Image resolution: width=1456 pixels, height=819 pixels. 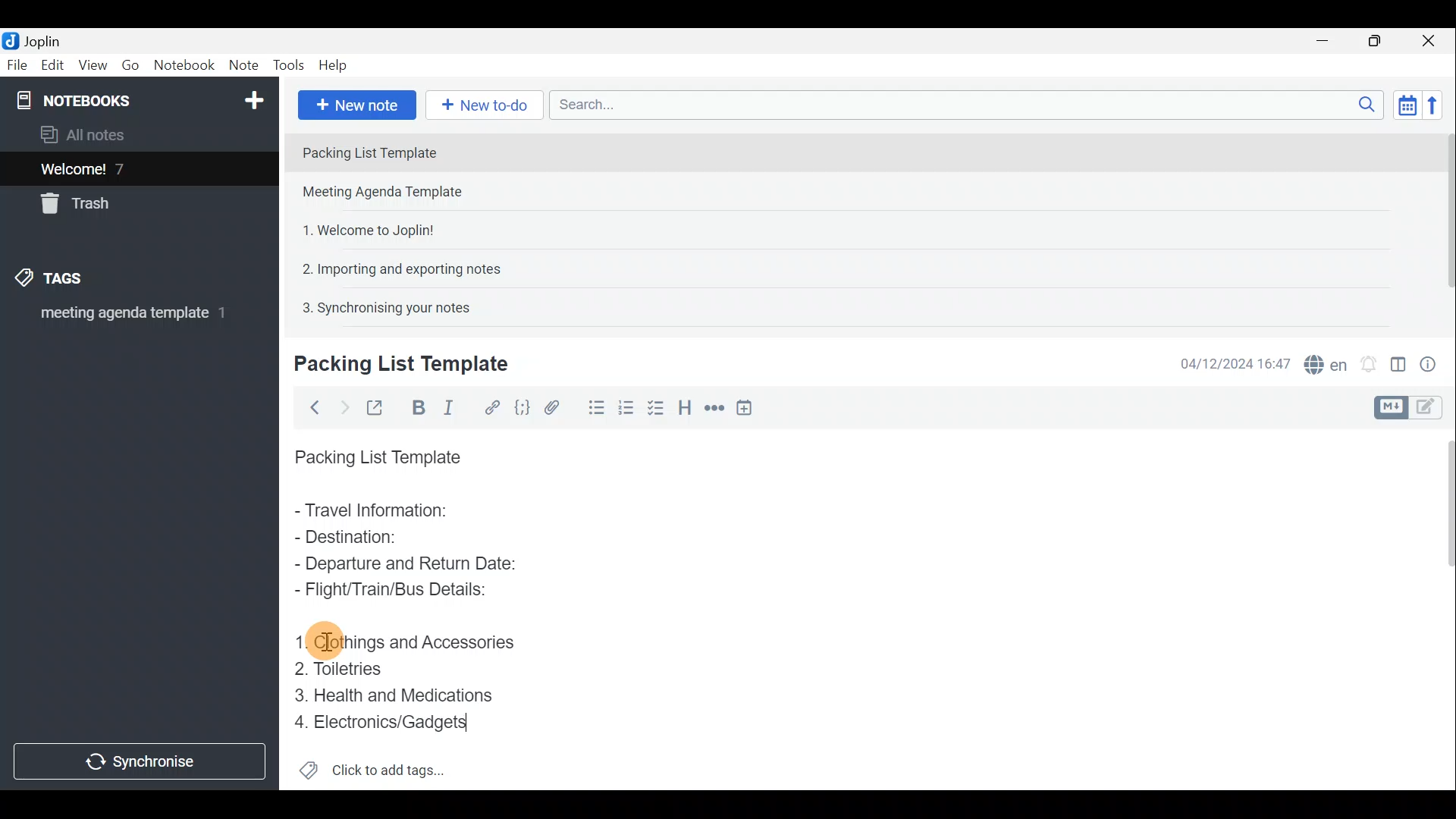 I want to click on Edit, so click(x=49, y=66).